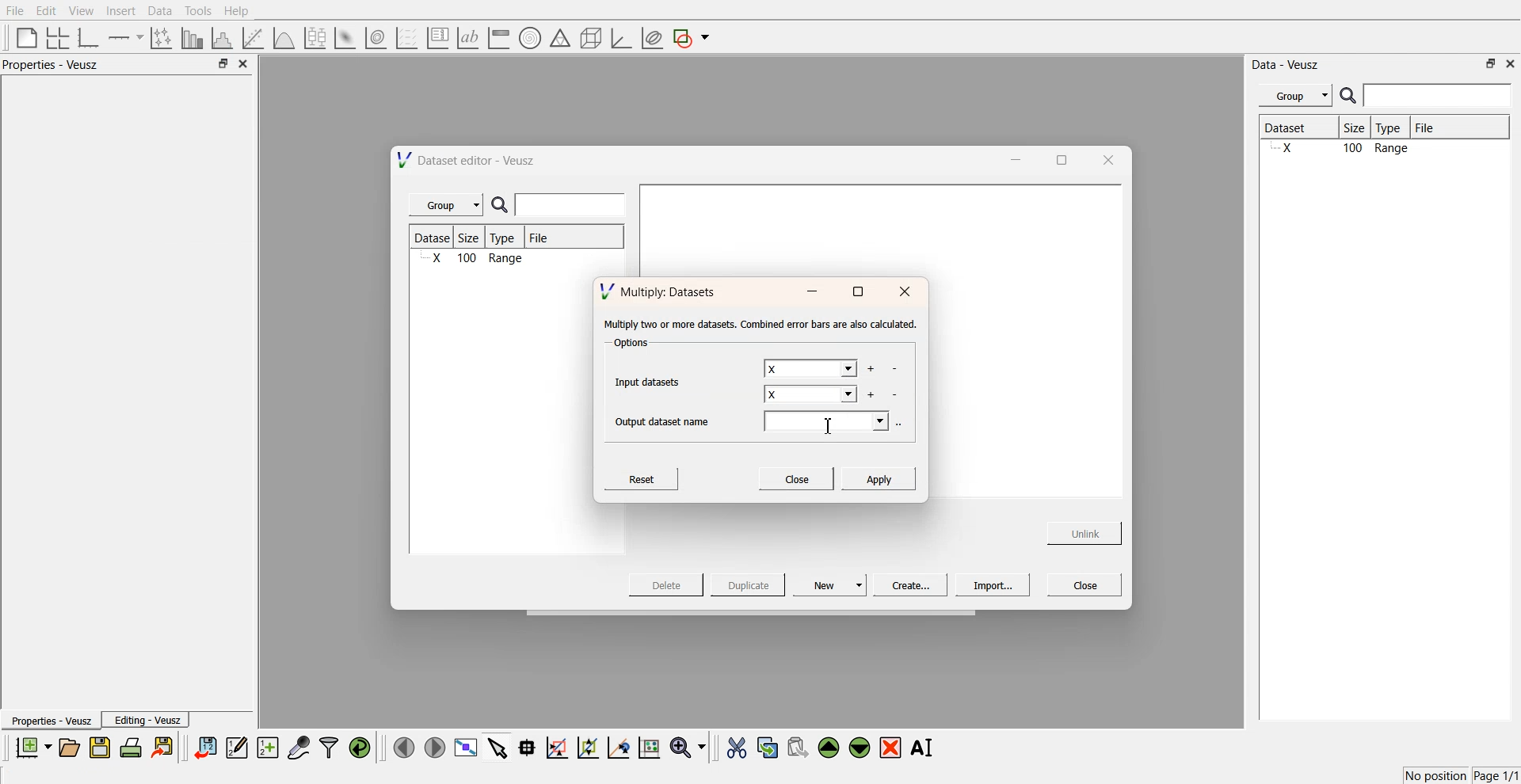 The width and height of the screenshot is (1521, 784). What do you see at coordinates (69, 748) in the screenshot?
I see `open` at bounding box center [69, 748].